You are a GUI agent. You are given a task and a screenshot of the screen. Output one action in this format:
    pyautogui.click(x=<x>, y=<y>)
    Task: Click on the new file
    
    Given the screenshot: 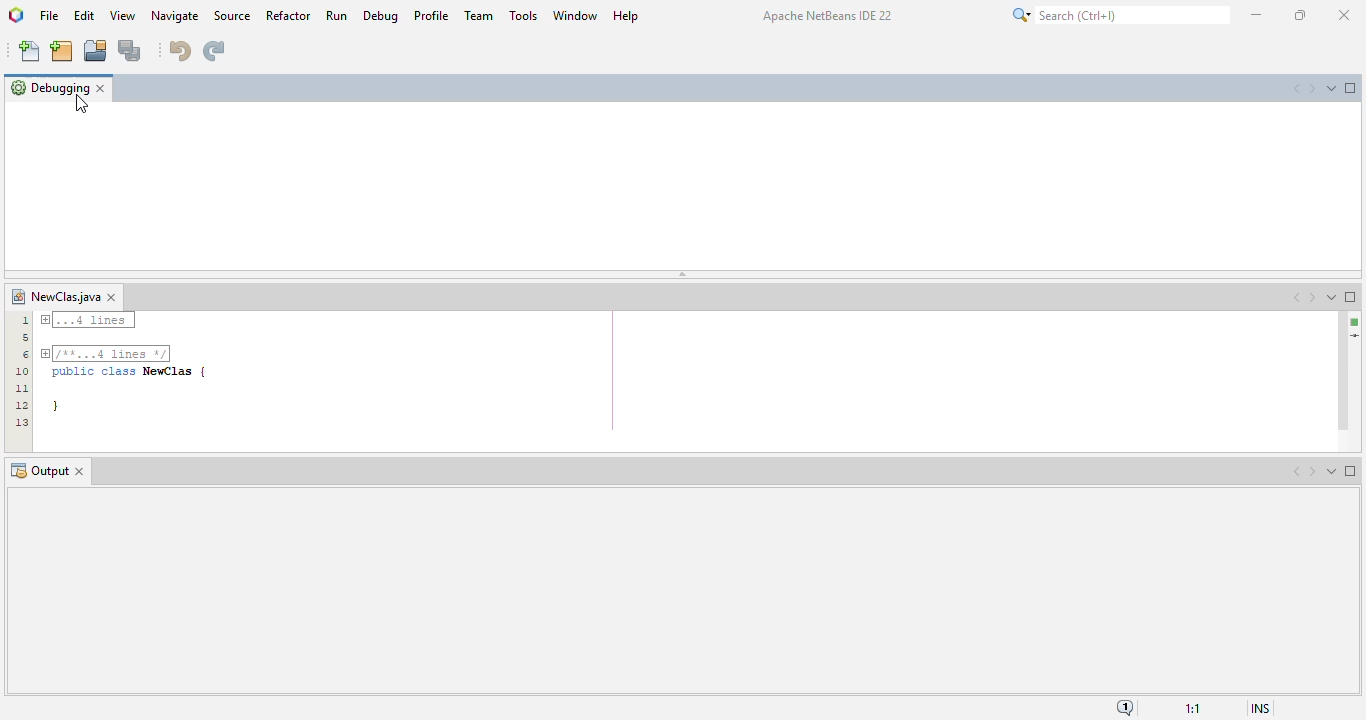 What is the action you would take?
    pyautogui.click(x=30, y=52)
    